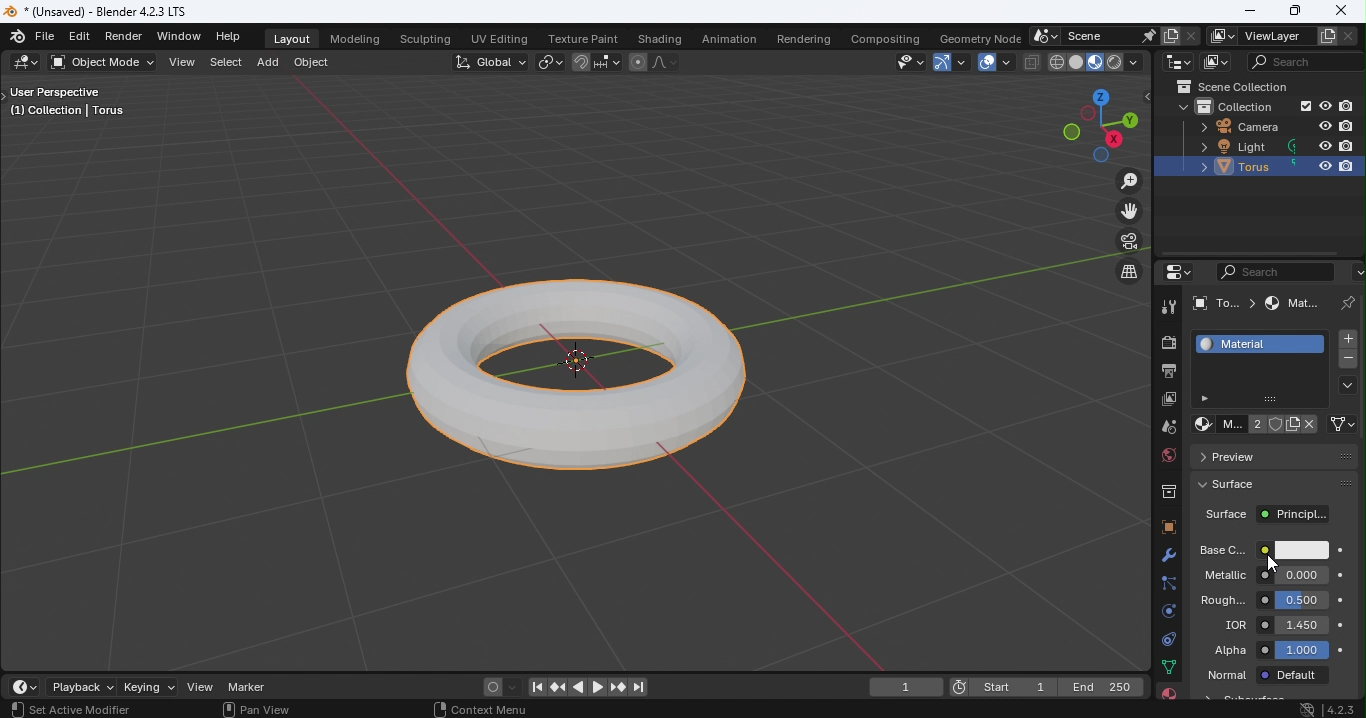 The width and height of the screenshot is (1366, 718). I want to click on Collection, so click(1168, 492).